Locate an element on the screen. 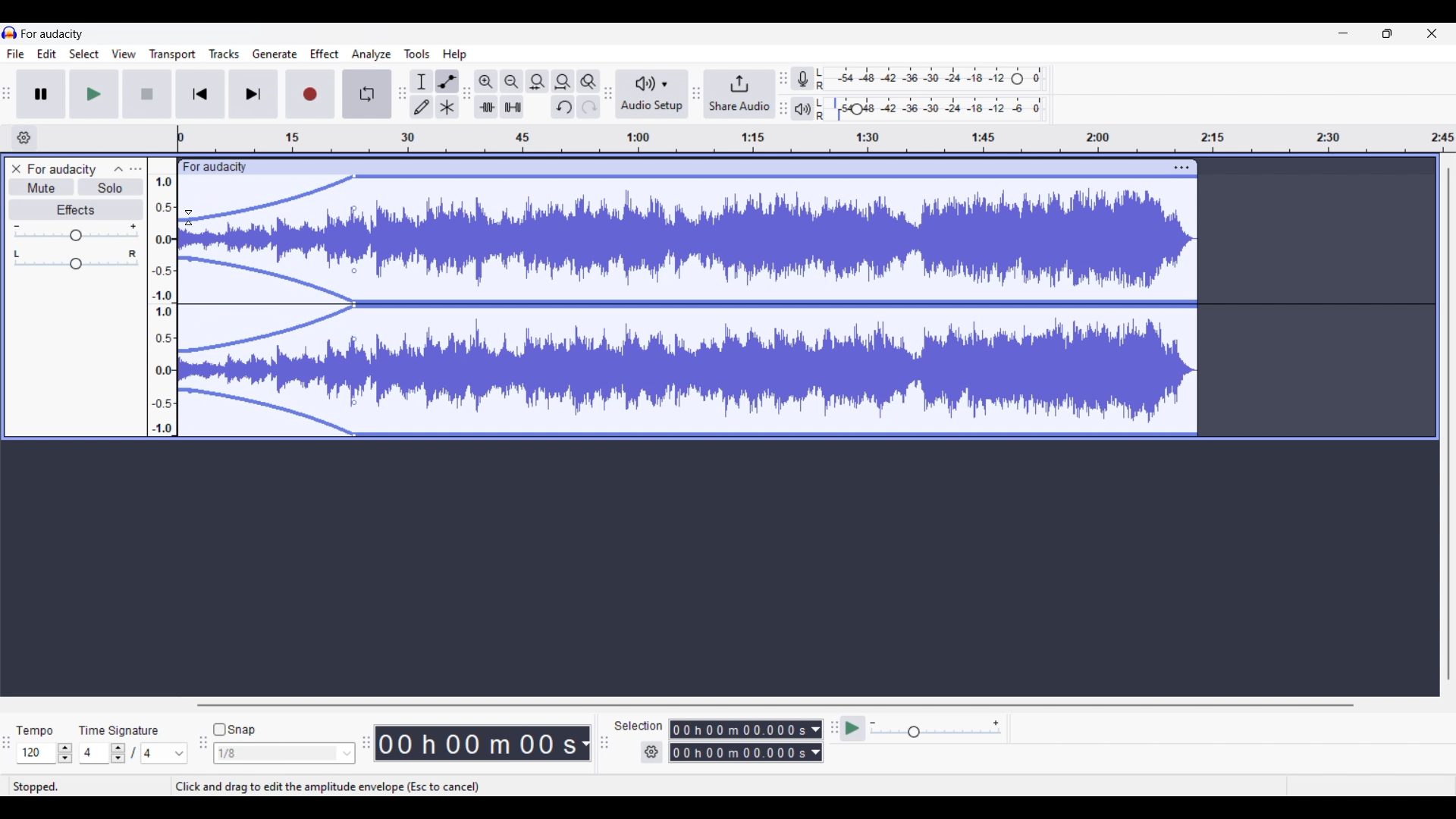 This screenshot has width=1456, height=819. timeline is located at coordinates (816, 139).